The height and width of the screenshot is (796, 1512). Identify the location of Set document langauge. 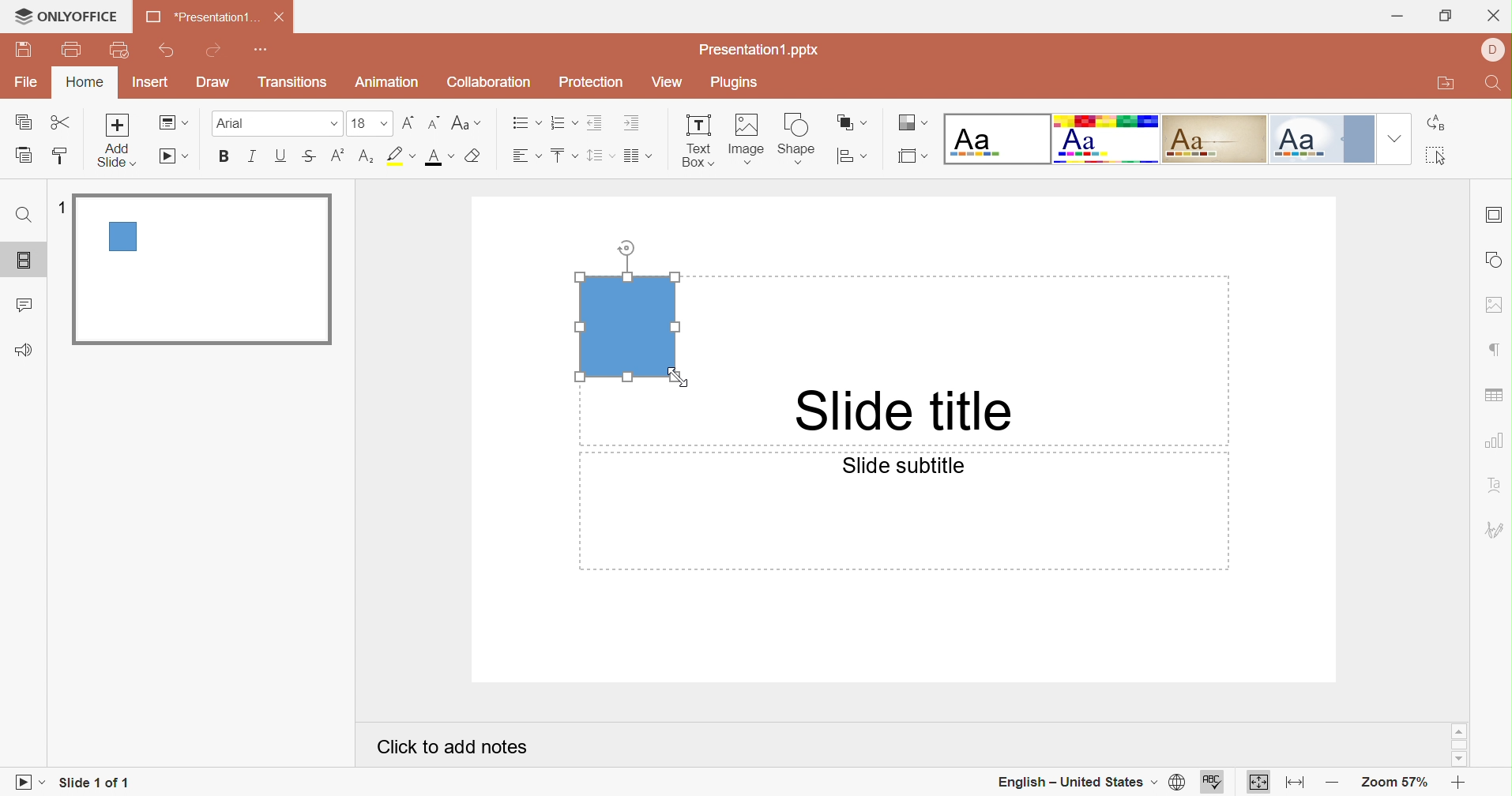
(1176, 783).